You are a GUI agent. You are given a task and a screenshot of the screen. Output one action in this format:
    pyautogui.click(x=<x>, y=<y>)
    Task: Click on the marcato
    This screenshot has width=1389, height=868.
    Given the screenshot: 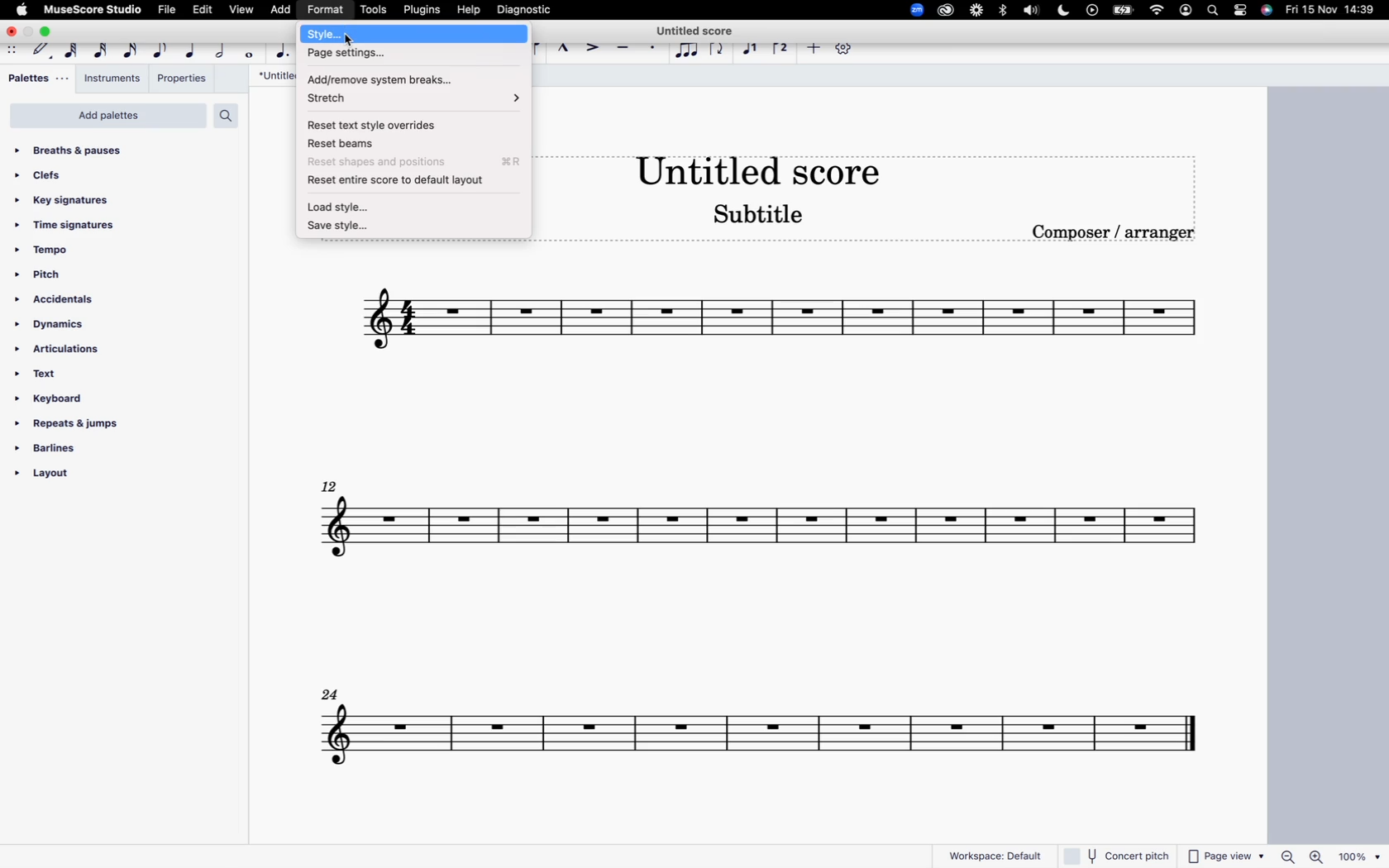 What is the action you would take?
    pyautogui.click(x=563, y=50)
    